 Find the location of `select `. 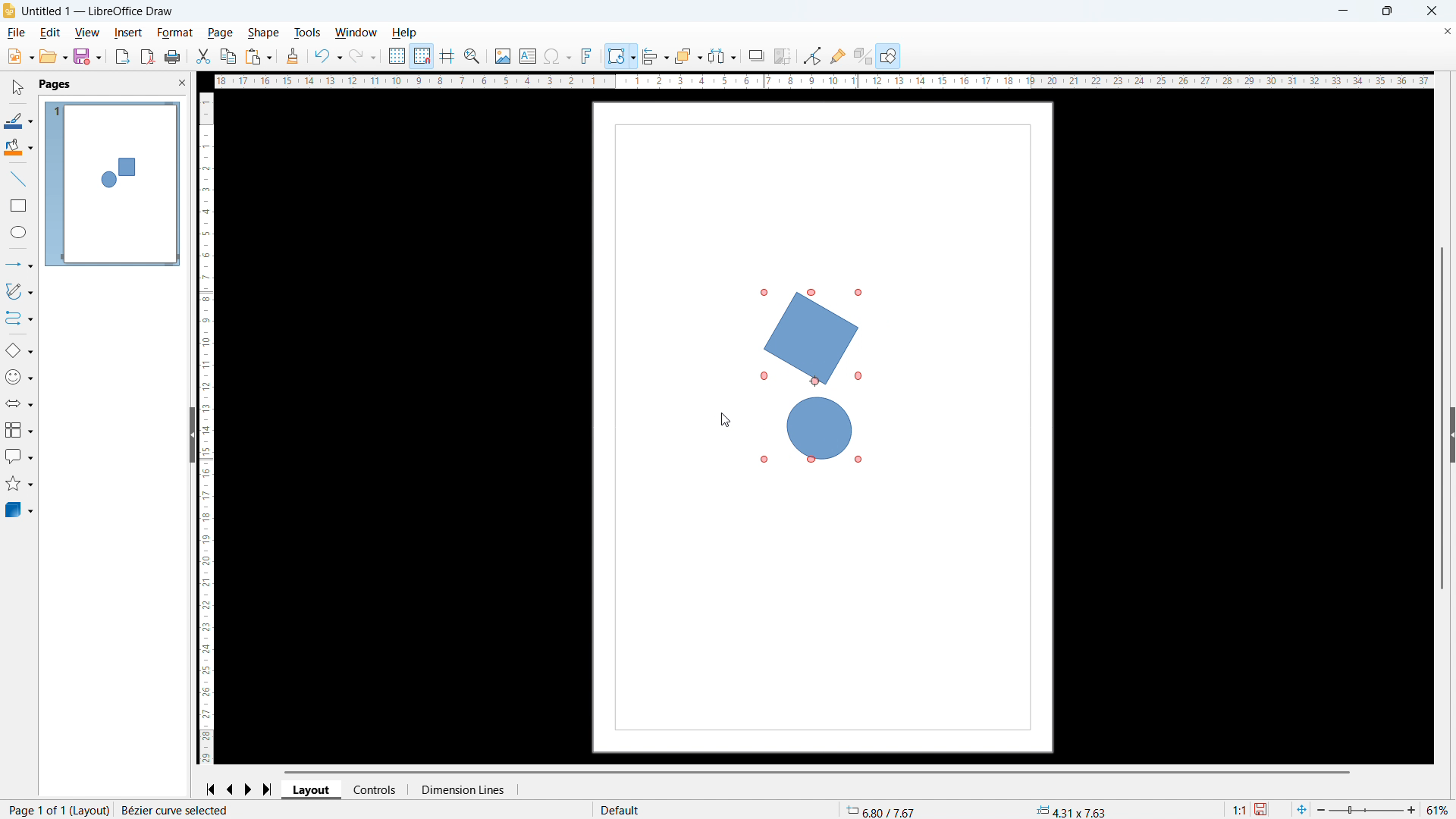

select  is located at coordinates (19, 88).